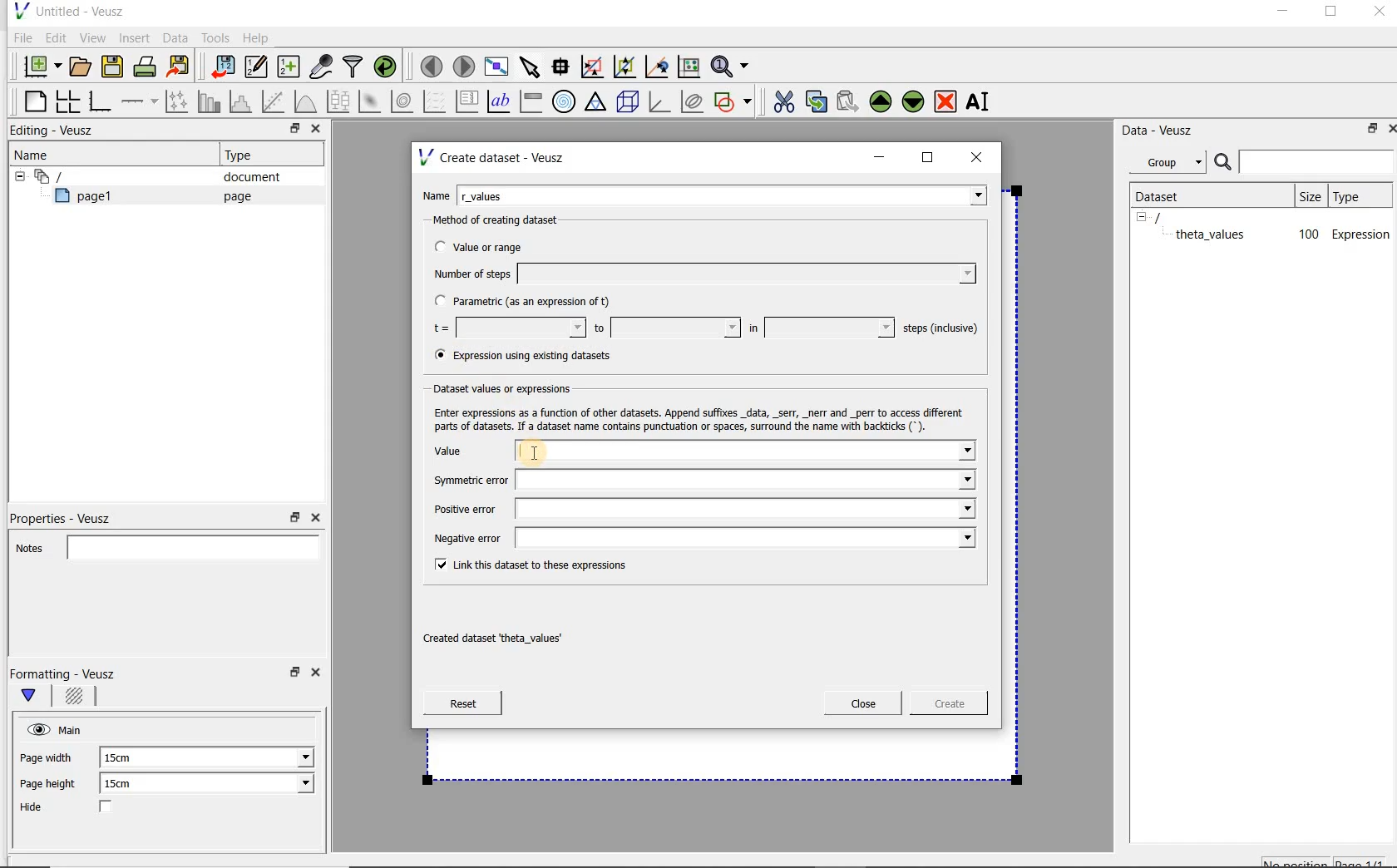 Image resolution: width=1397 pixels, height=868 pixels. What do you see at coordinates (289, 67) in the screenshot?
I see `create new datasets using ranges, parametrically or as functions of existing datasets` at bounding box center [289, 67].